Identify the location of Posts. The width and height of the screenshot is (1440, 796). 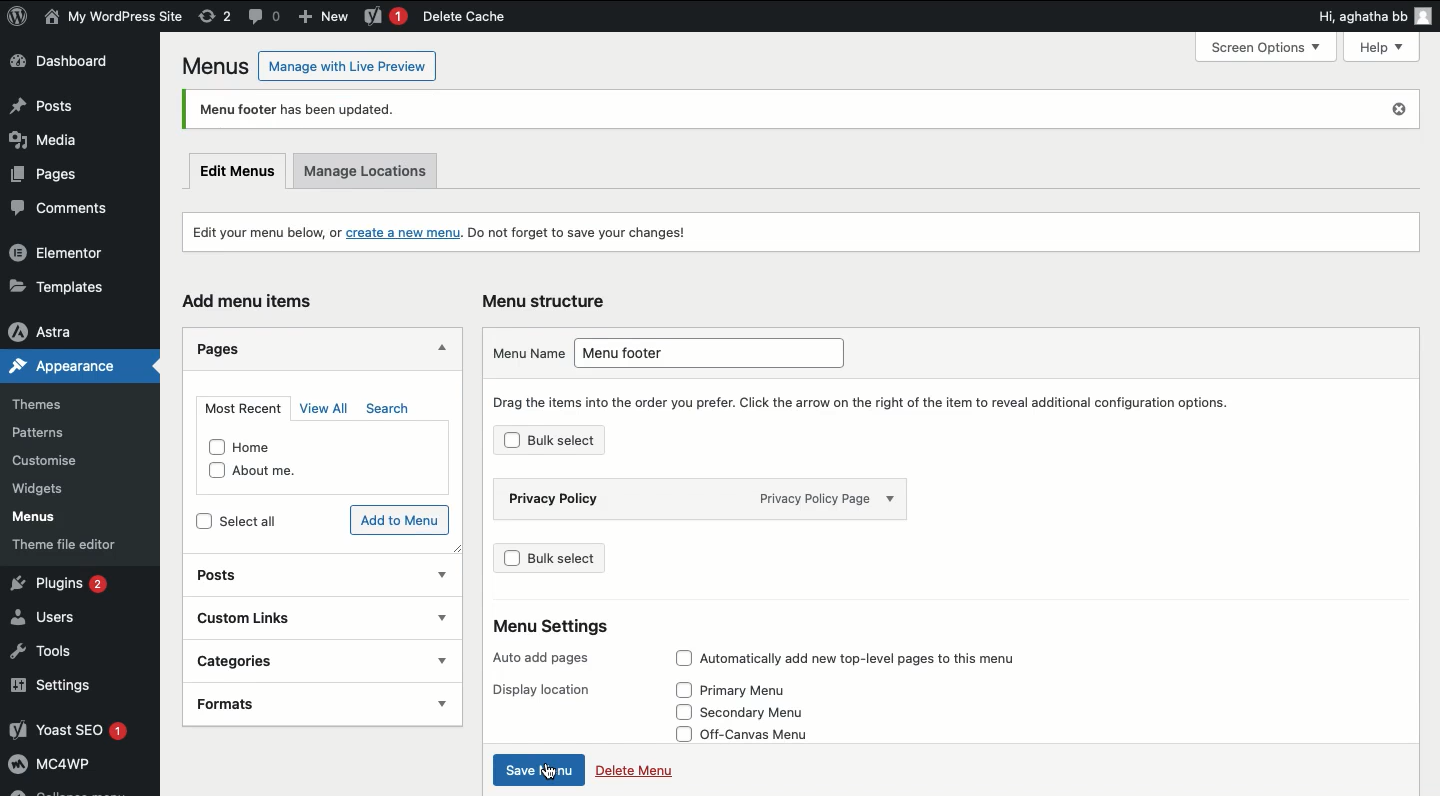
(297, 581).